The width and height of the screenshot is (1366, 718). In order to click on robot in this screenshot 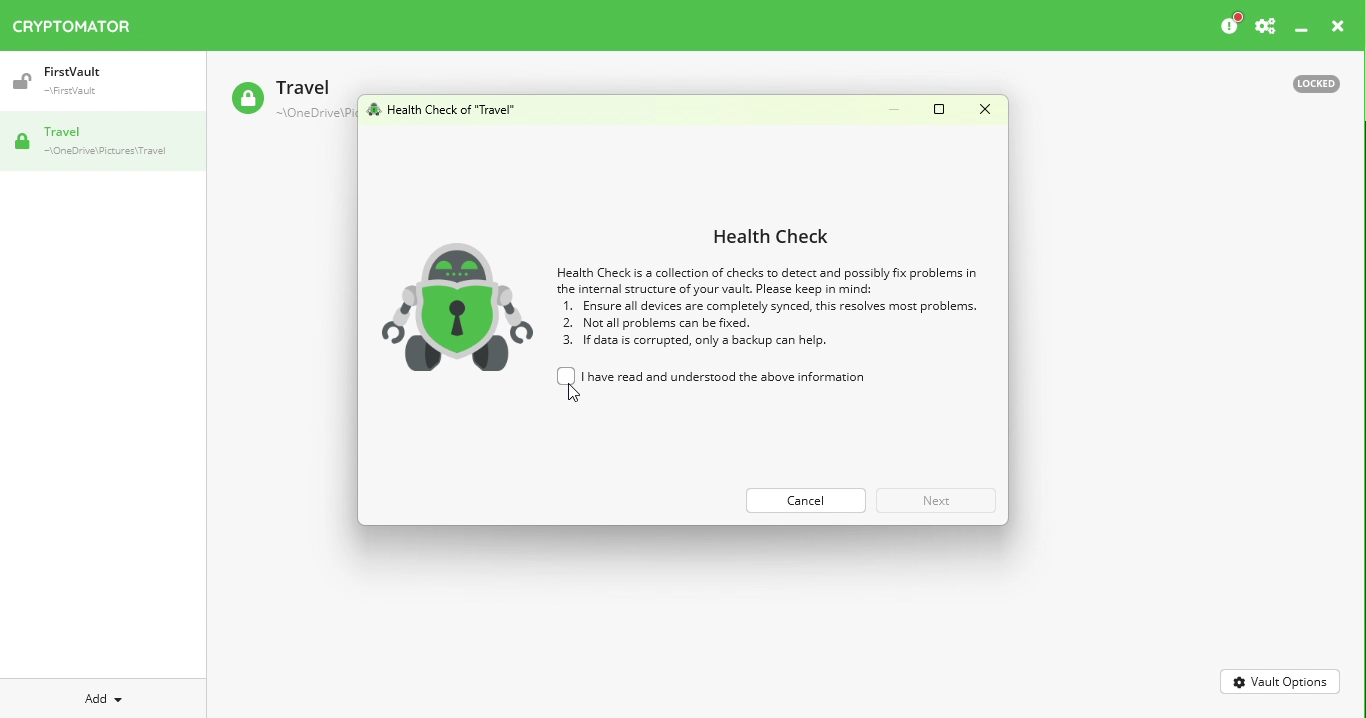, I will do `click(446, 297)`.